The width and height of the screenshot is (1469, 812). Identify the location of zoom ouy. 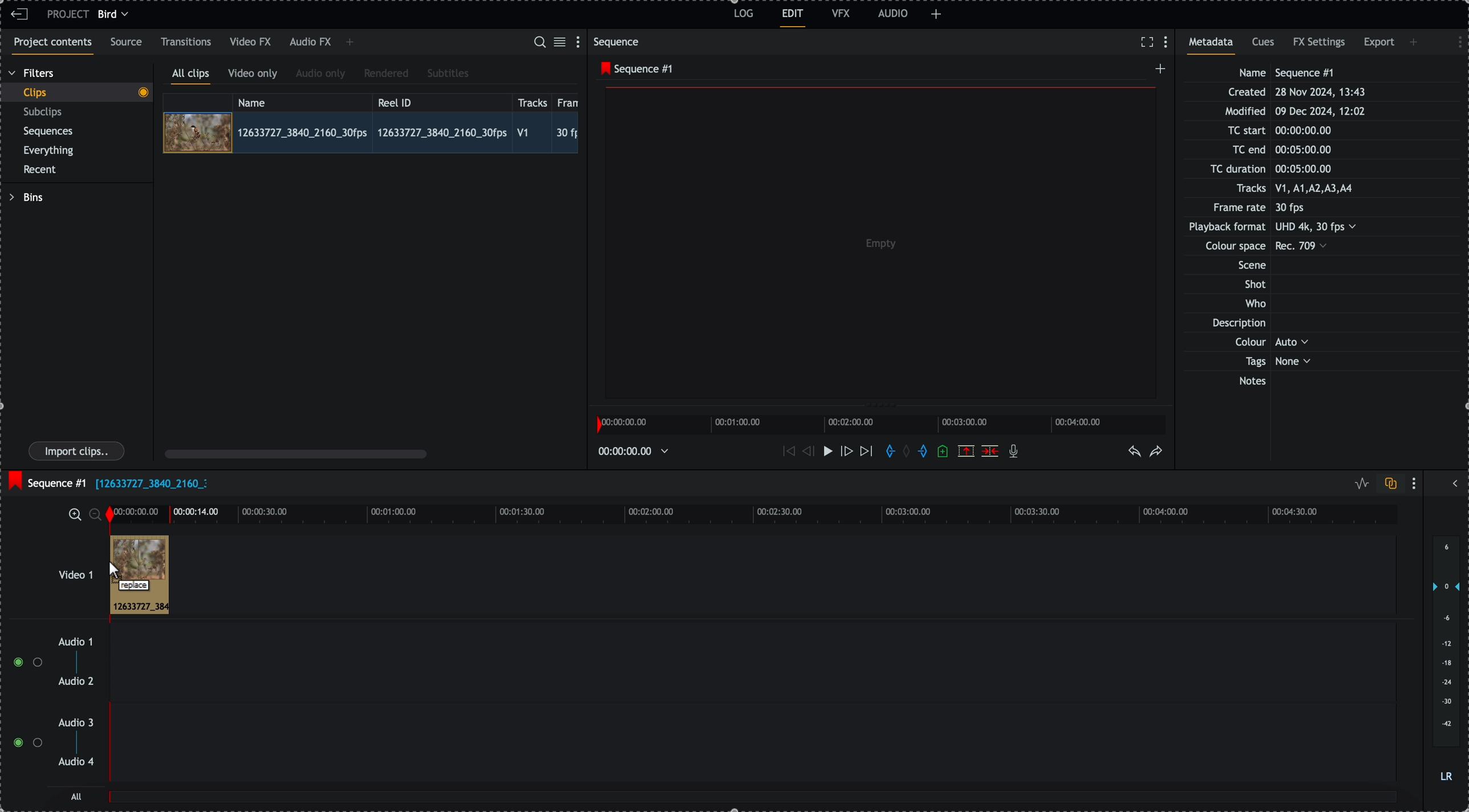
(96, 514).